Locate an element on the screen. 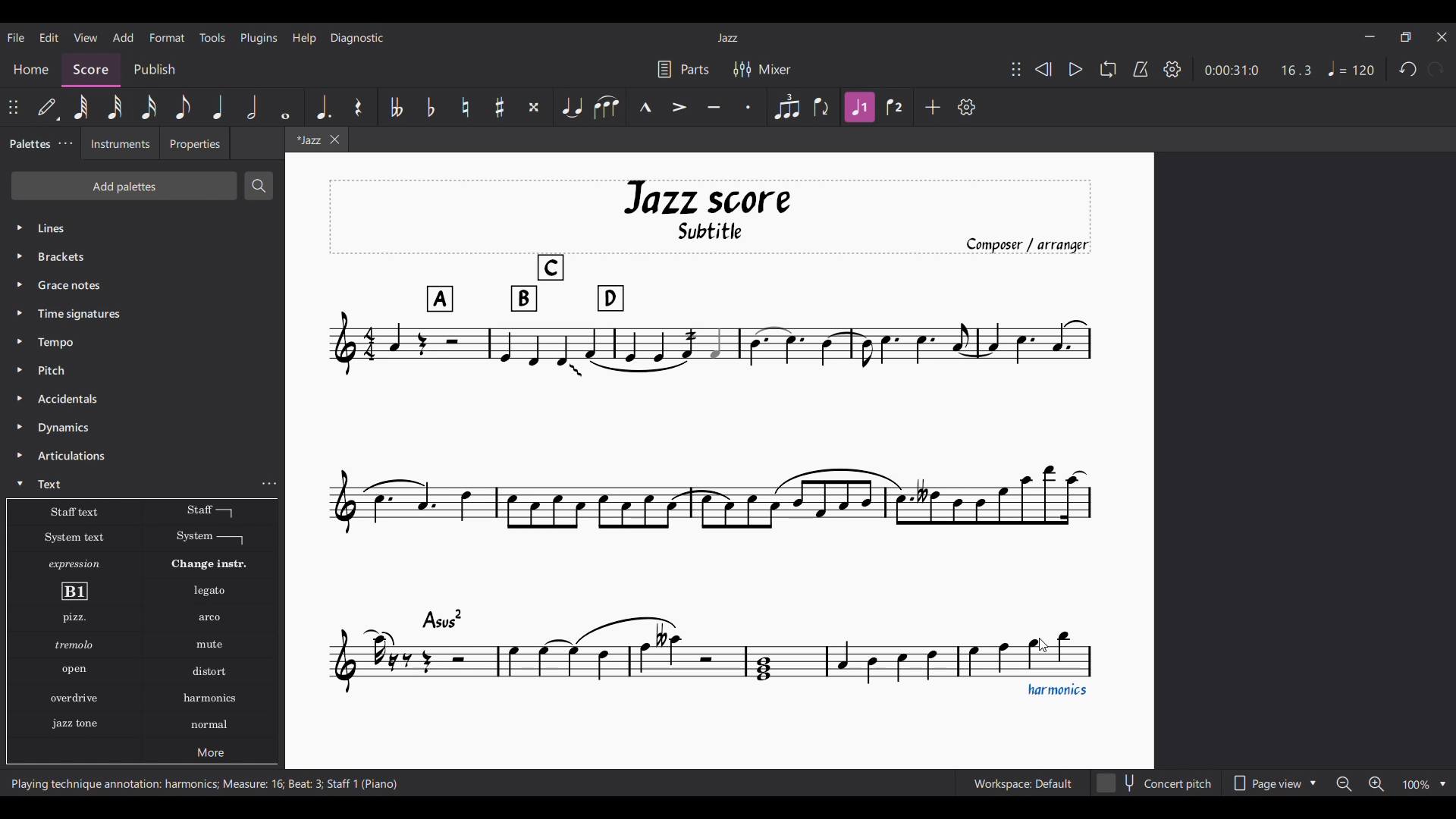 Image resolution: width=1456 pixels, height=819 pixels. Publish section is located at coordinates (158, 67).